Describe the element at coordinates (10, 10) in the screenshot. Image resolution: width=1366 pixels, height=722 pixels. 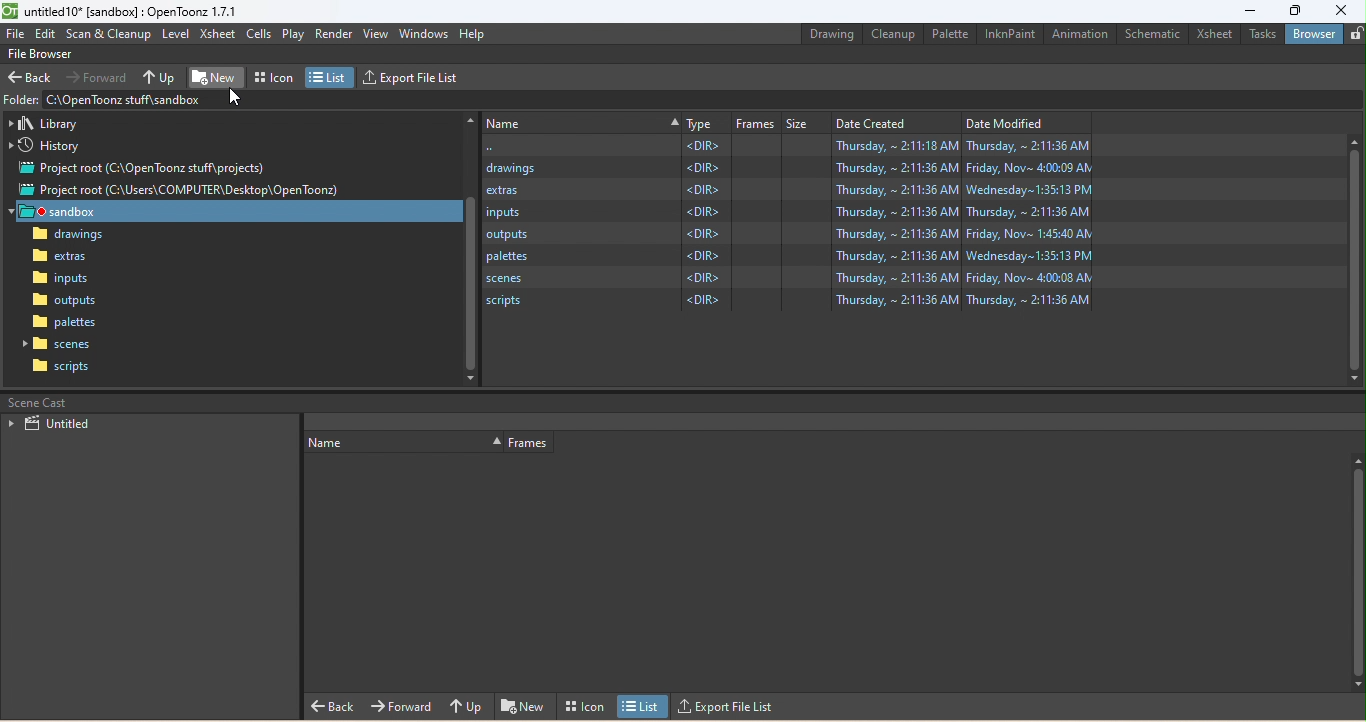
I see `logo` at that location.